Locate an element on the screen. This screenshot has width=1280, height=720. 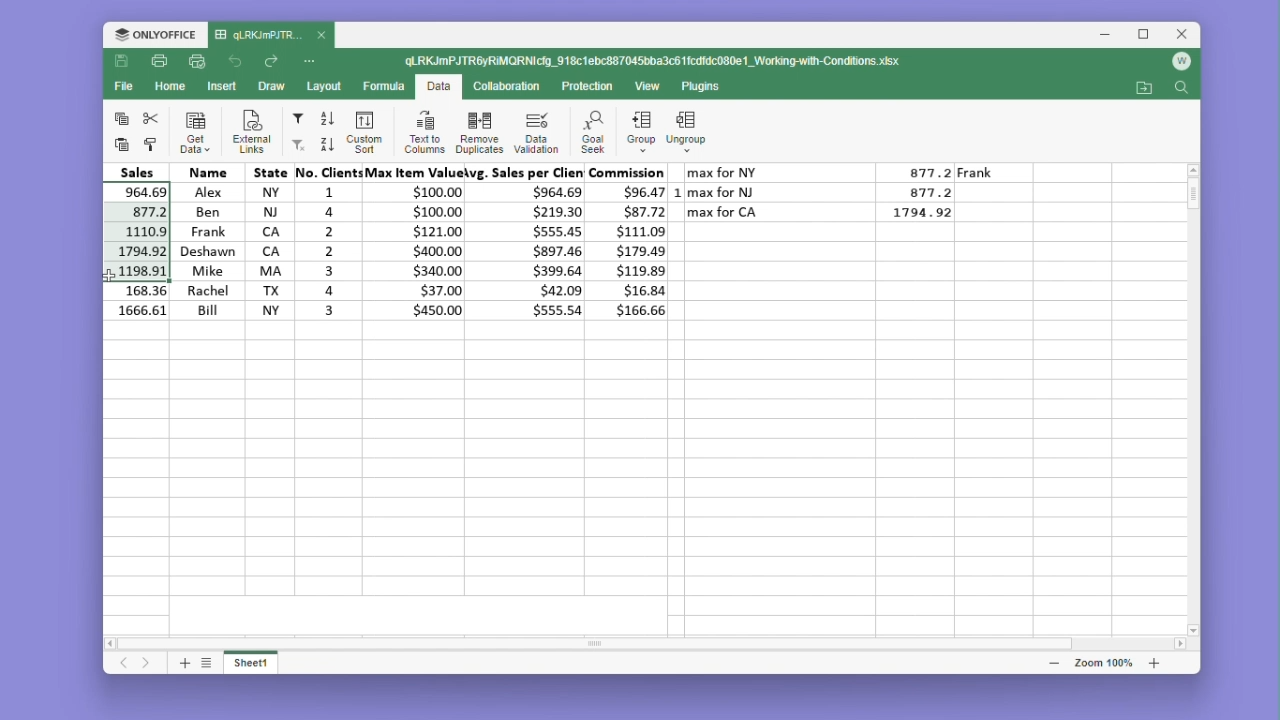
Previous sheet is located at coordinates (125, 664).